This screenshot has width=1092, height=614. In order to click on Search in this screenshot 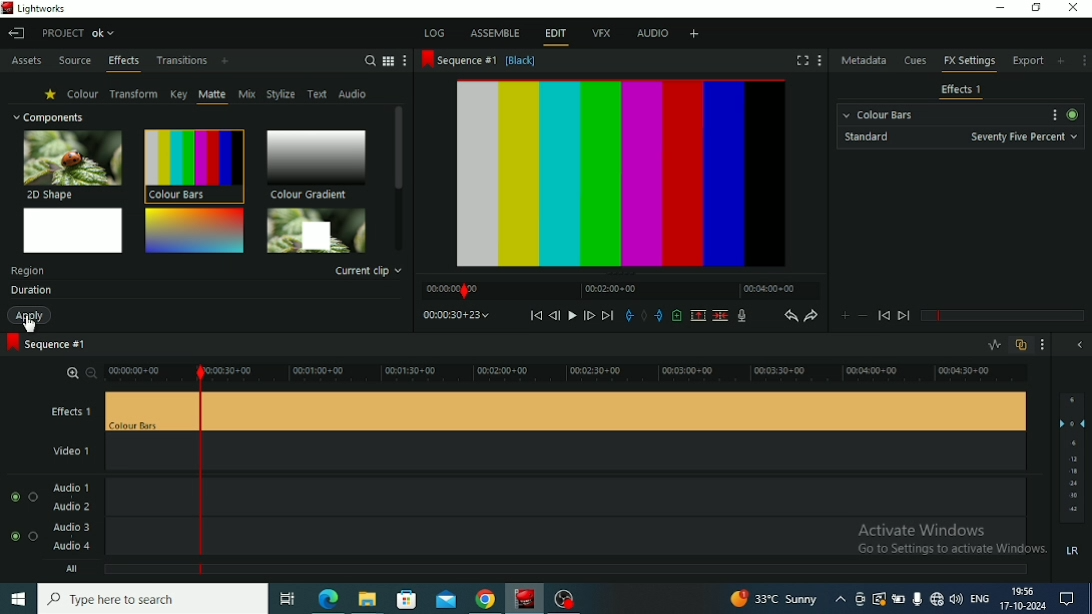, I will do `click(369, 60)`.